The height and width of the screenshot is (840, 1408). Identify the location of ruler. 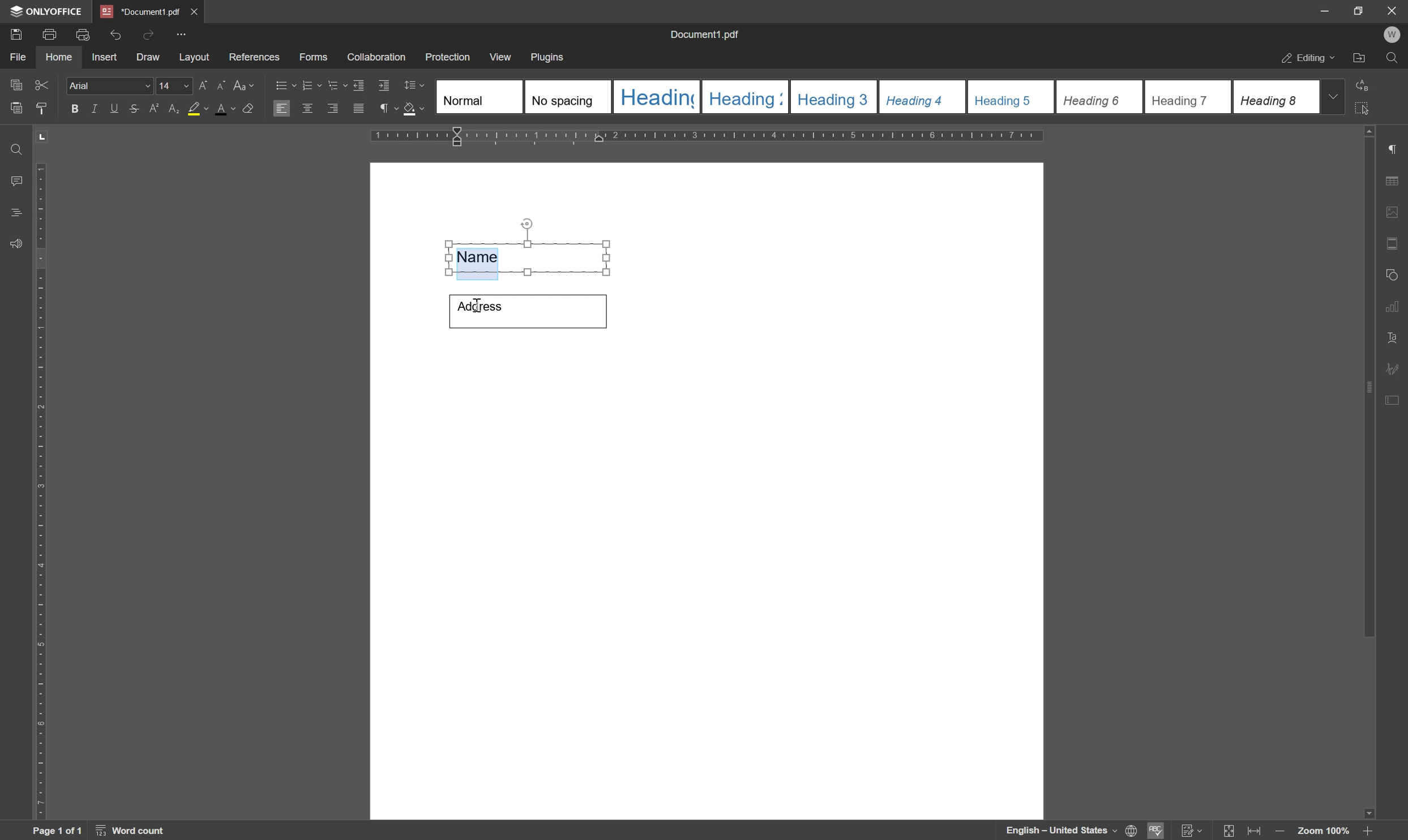
(712, 137).